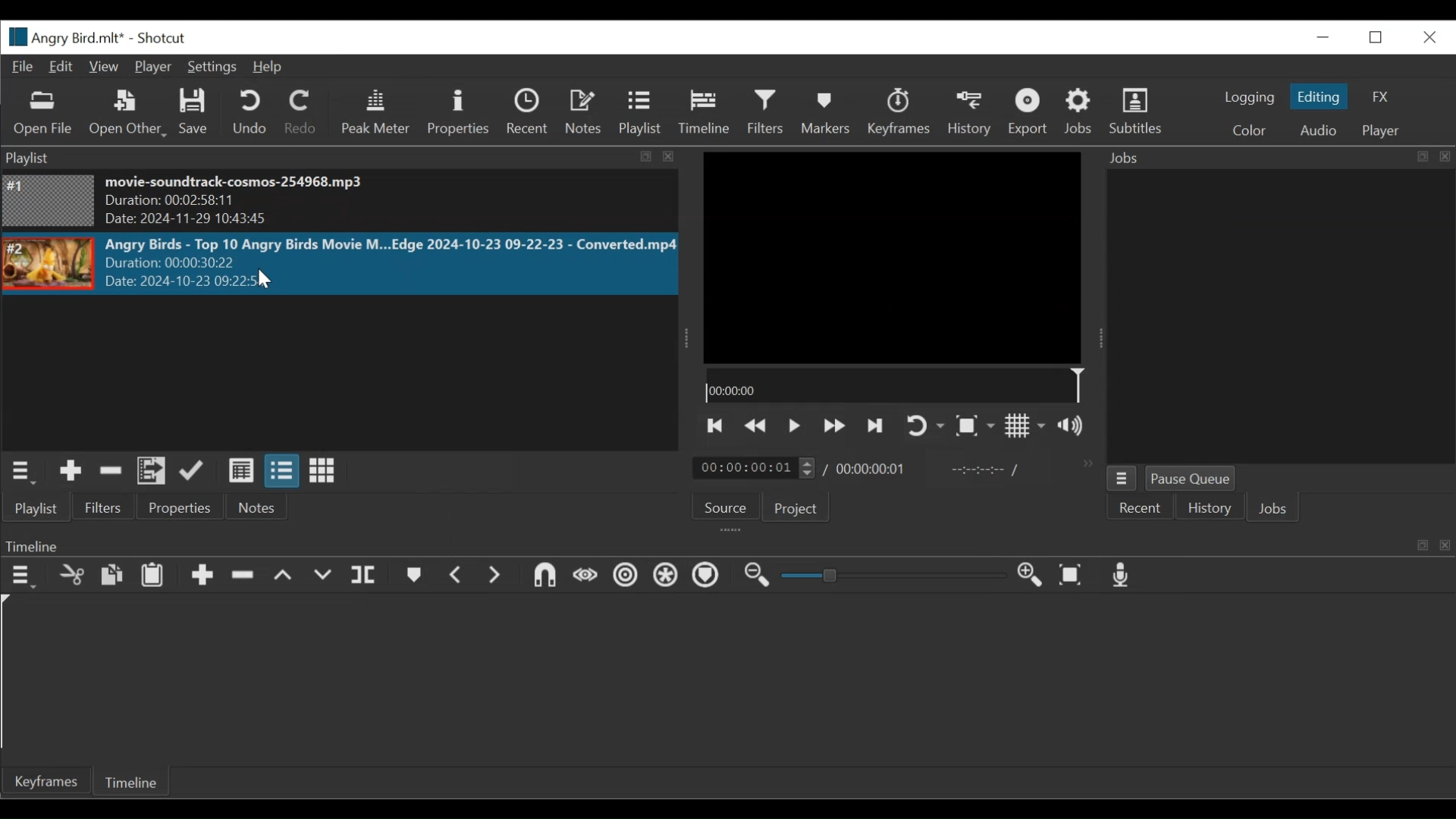 Image resolution: width=1456 pixels, height=819 pixels. What do you see at coordinates (981, 469) in the screenshot?
I see `In point` at bounding box center [981, 469].